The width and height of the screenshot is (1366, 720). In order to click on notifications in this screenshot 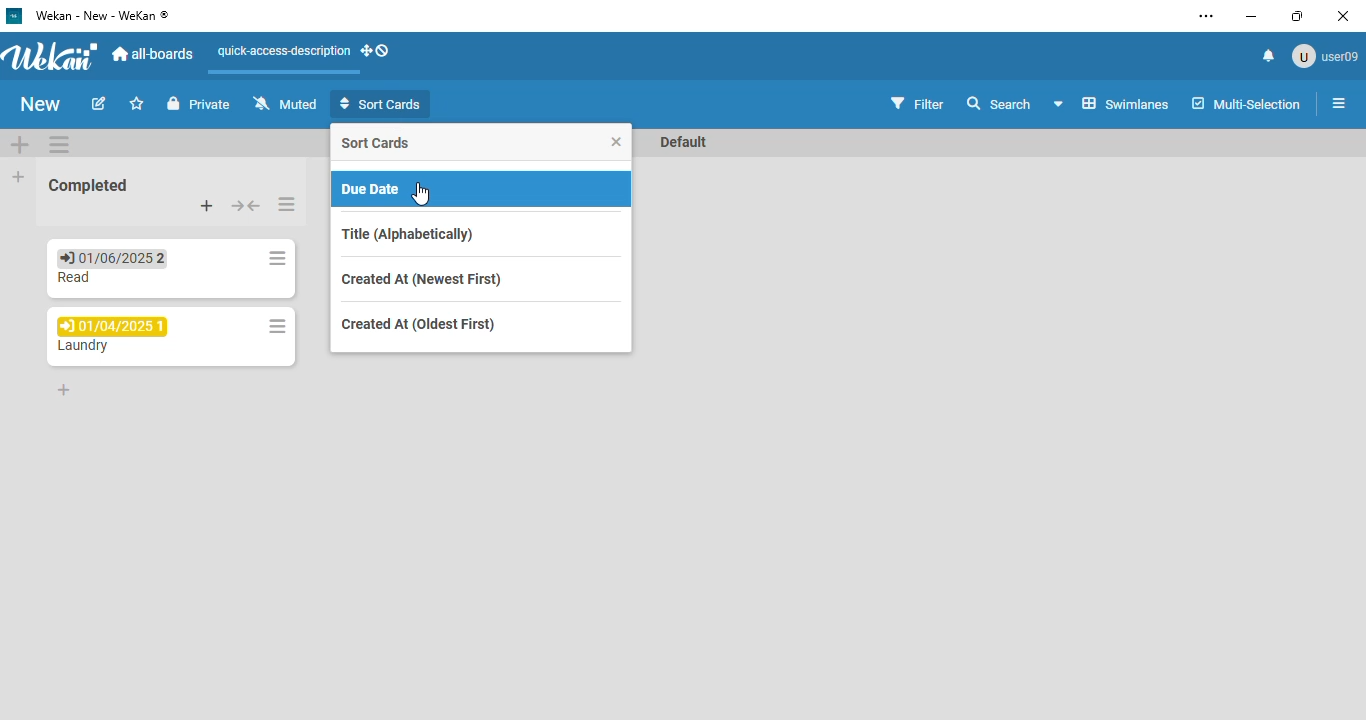, I will do `click(1269, 56)`.